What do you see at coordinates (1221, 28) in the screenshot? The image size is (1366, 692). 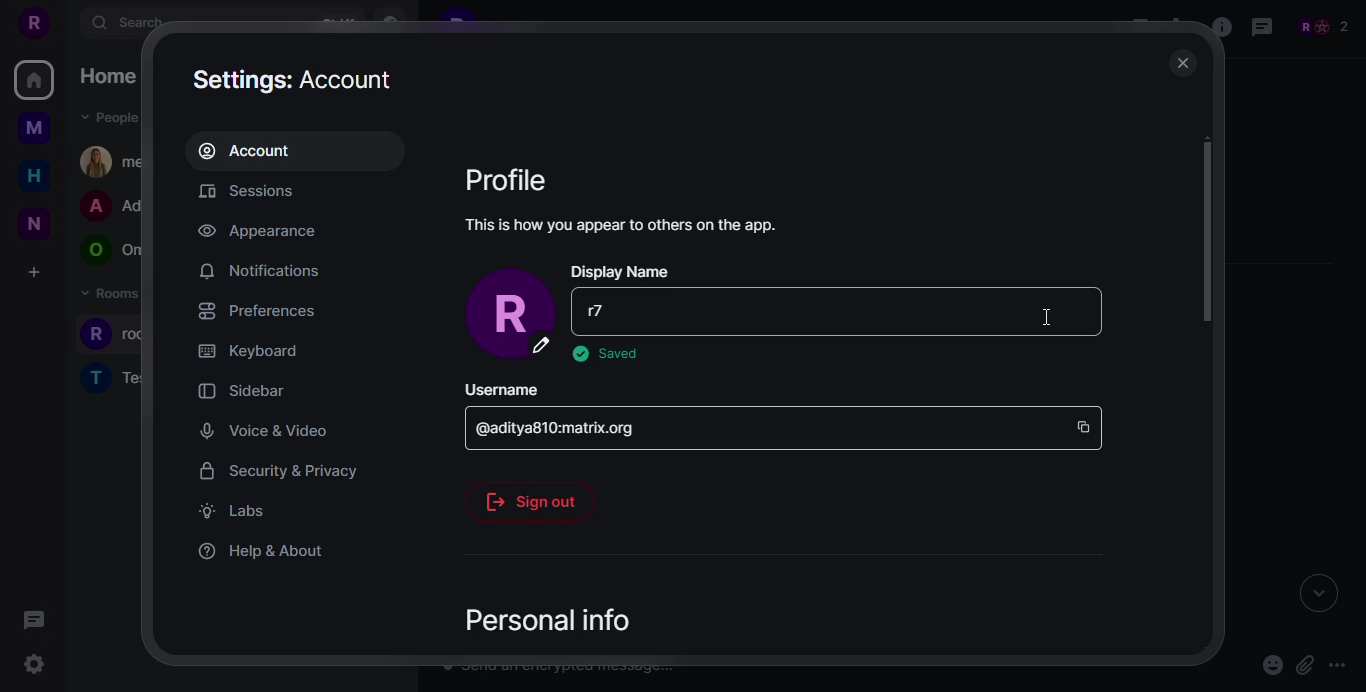 I see `info` at bounding box center [1221, 28].